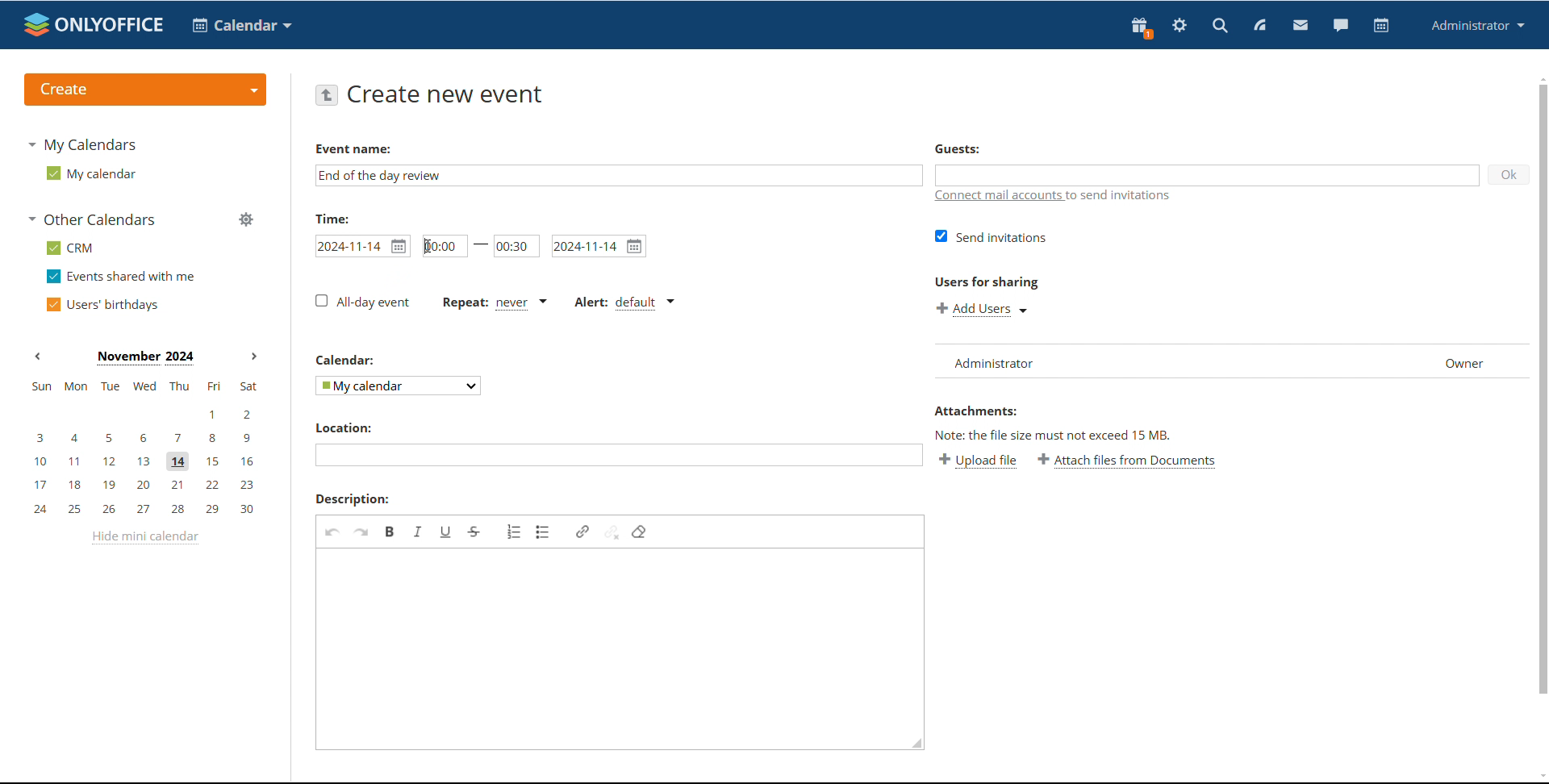  What do you see at coordinates (474, 532) in the screenshot?
I see `strikethrough` at bounding box center [474, 532].